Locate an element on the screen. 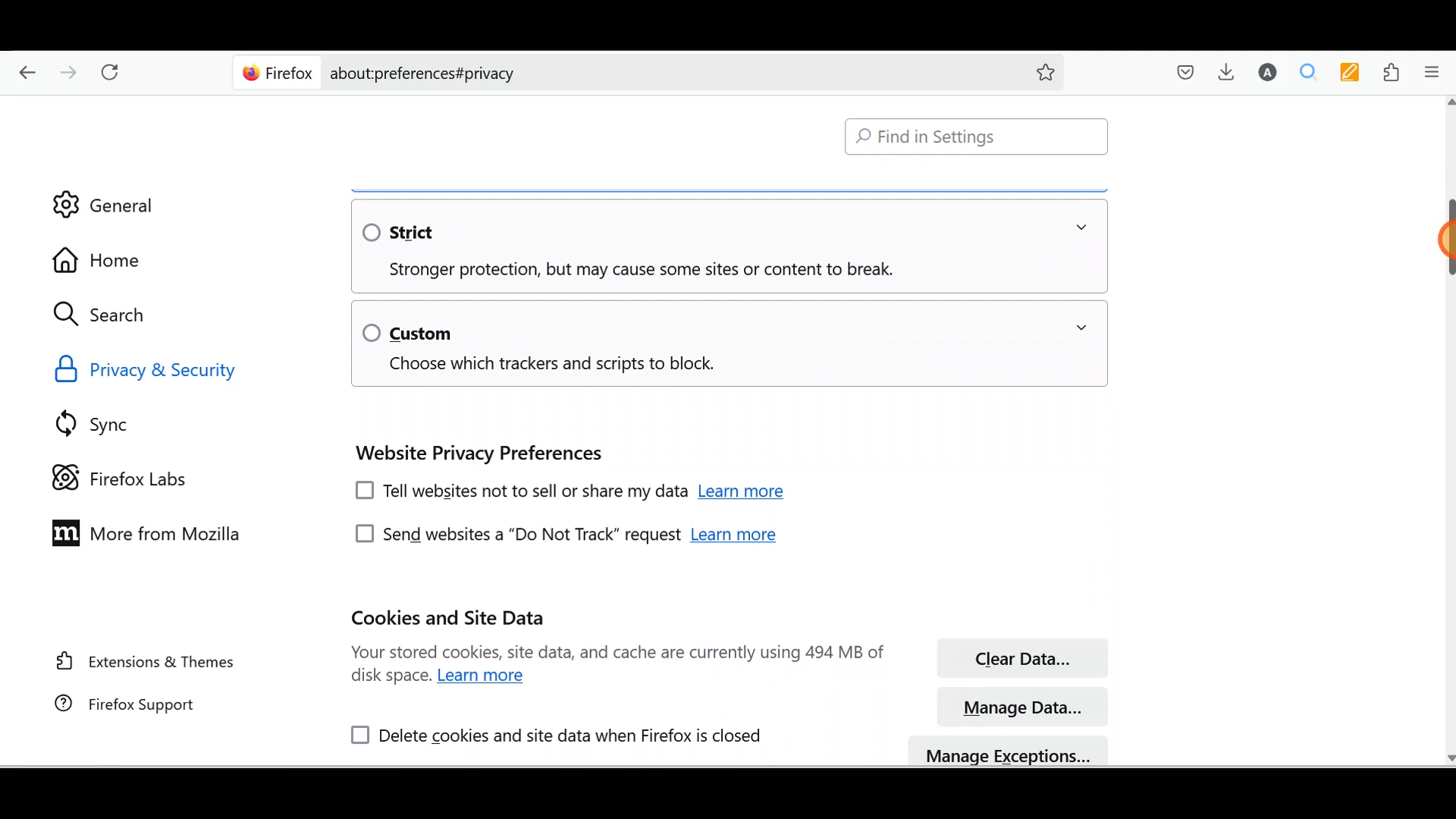 The width and height of the screenshot is (1456, 819). Home is located at coordinates (111, 260).